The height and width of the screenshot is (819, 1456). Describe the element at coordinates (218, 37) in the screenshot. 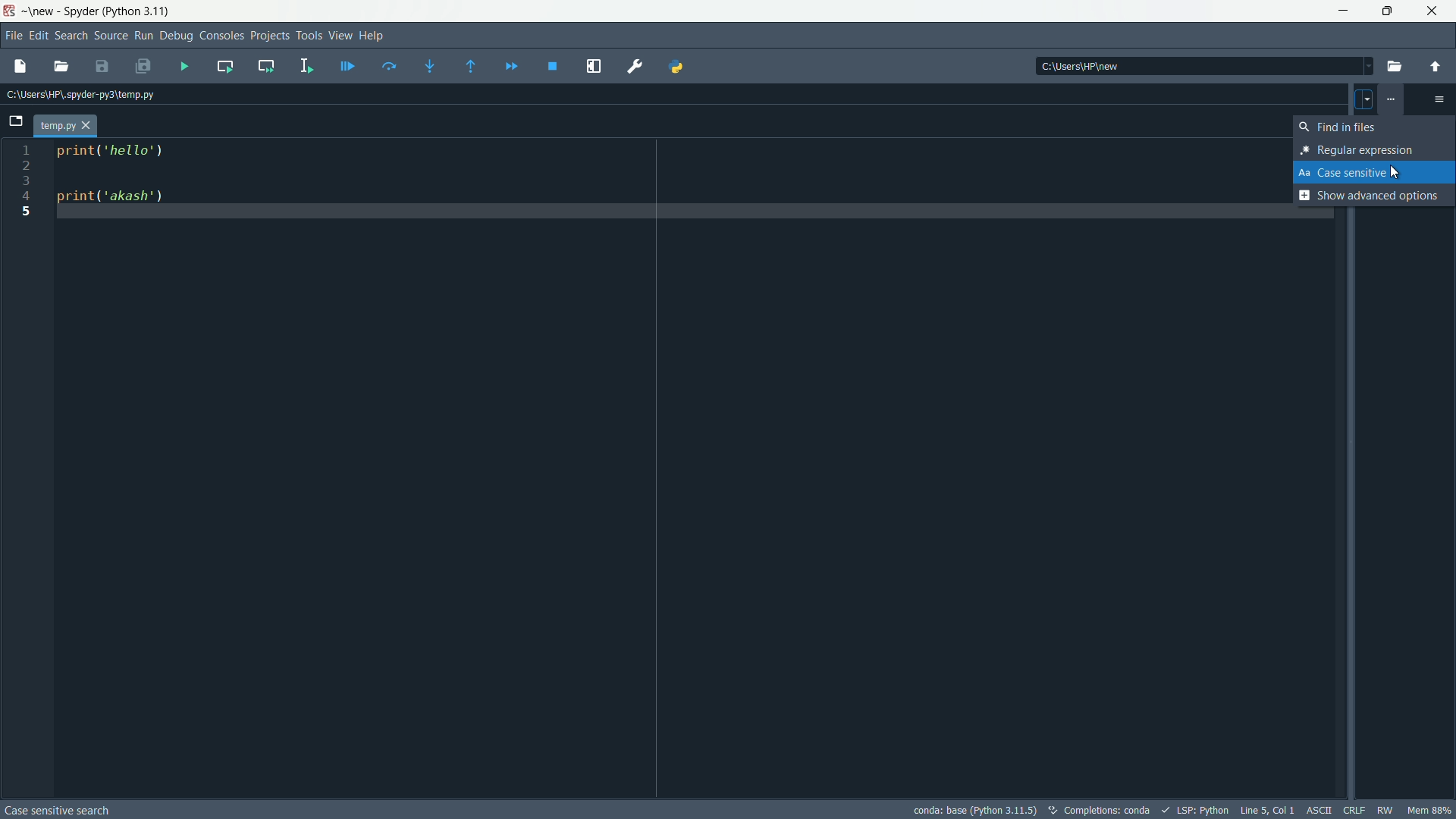

I see `Consoles Menu` at that location.